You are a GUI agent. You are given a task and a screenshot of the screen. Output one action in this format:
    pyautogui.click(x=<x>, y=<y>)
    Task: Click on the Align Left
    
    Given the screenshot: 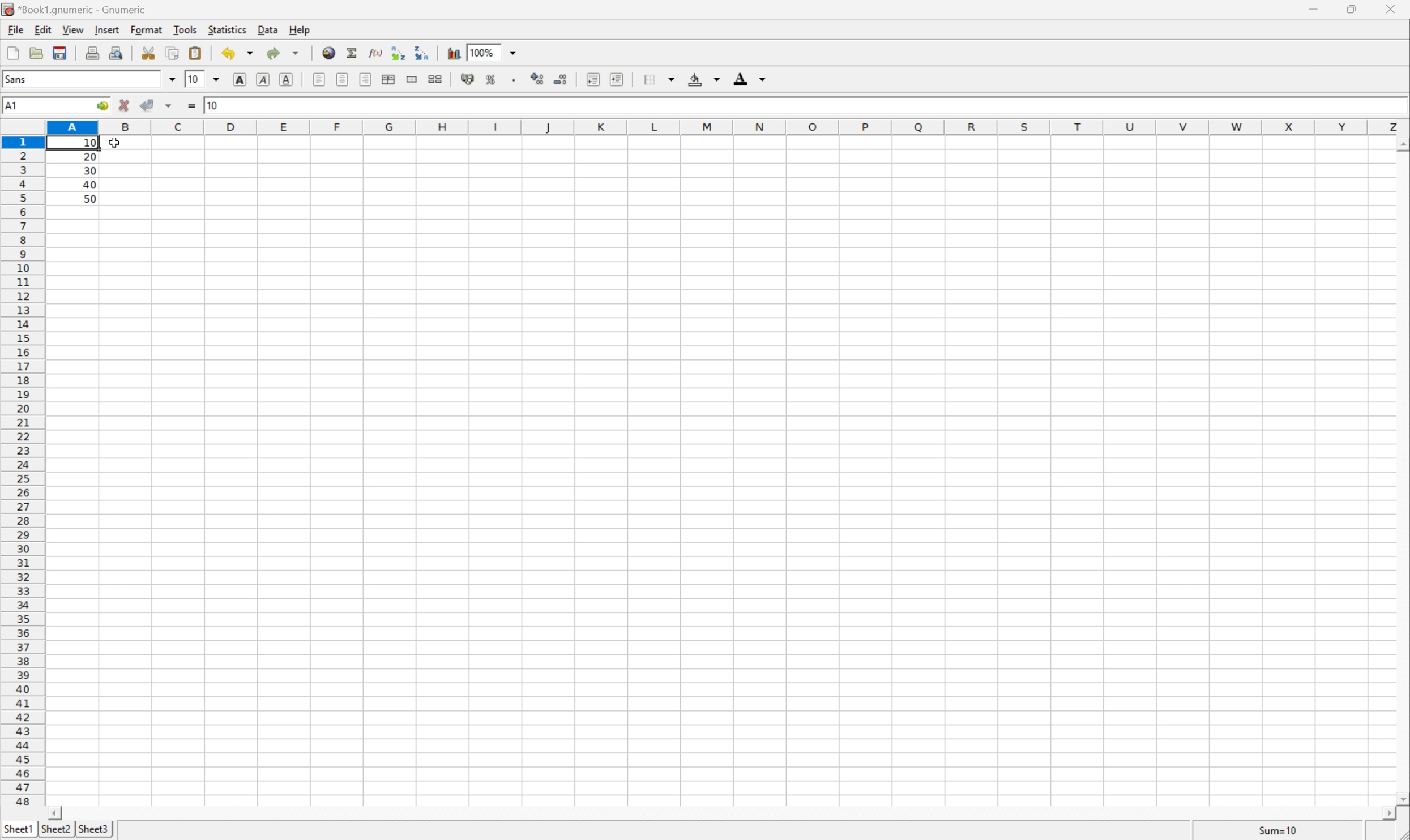 What is the action you would take?
    pyautogui.click(x=318, y=79)
    